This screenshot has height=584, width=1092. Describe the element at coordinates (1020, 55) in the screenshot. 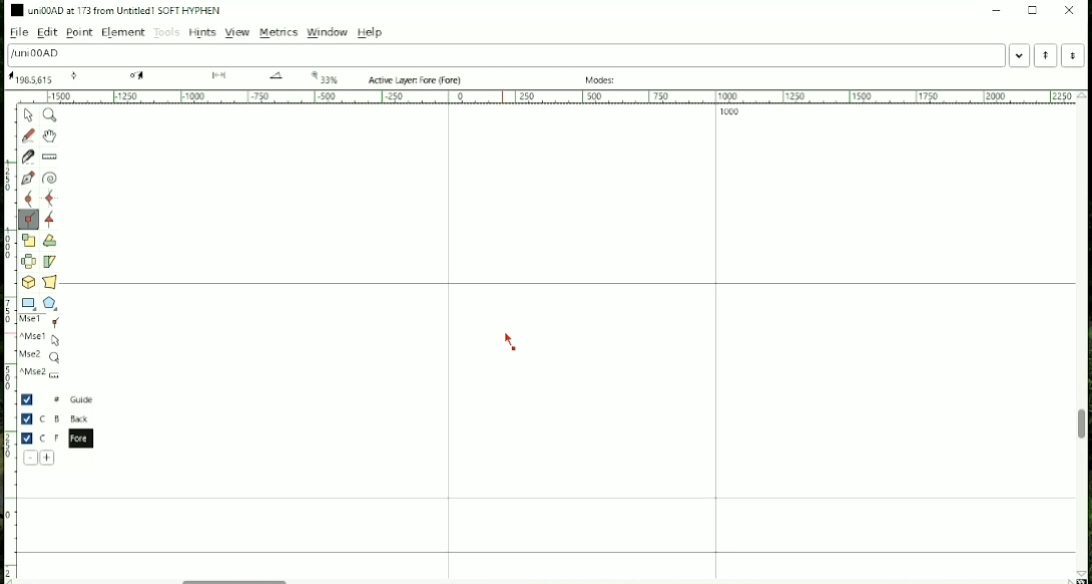

I see `Word list` at that location.